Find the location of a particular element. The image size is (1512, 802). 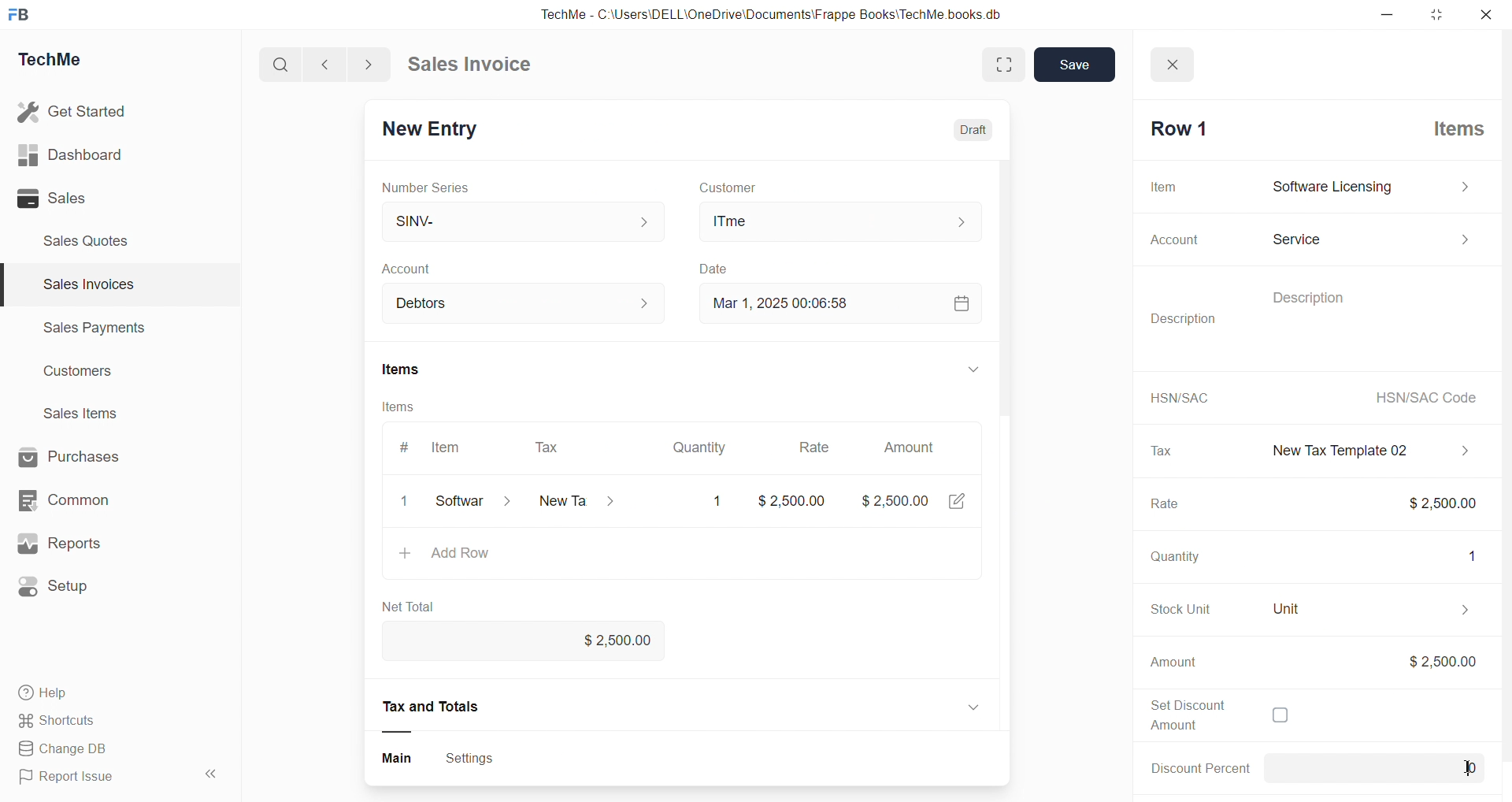

TechMe is located at coordinates (63, 62).